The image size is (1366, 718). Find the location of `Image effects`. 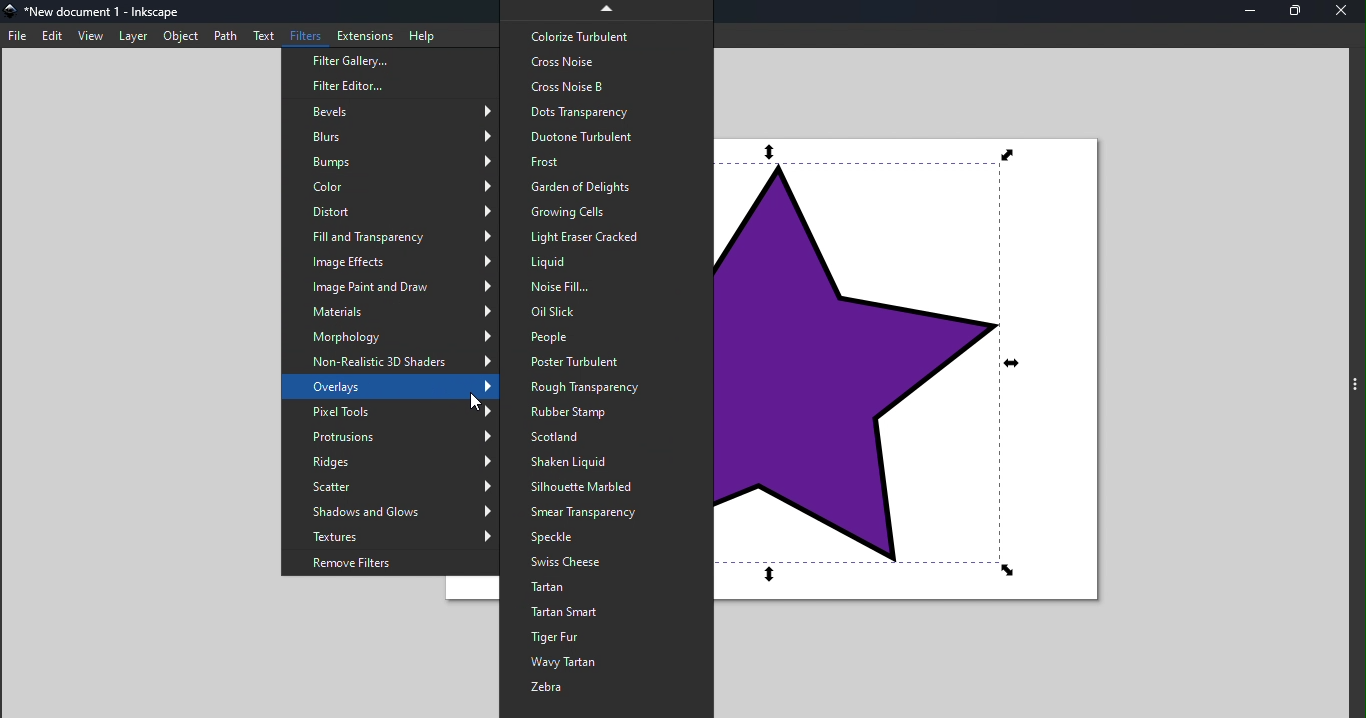

Image effects is located at coordinates (389, 262).